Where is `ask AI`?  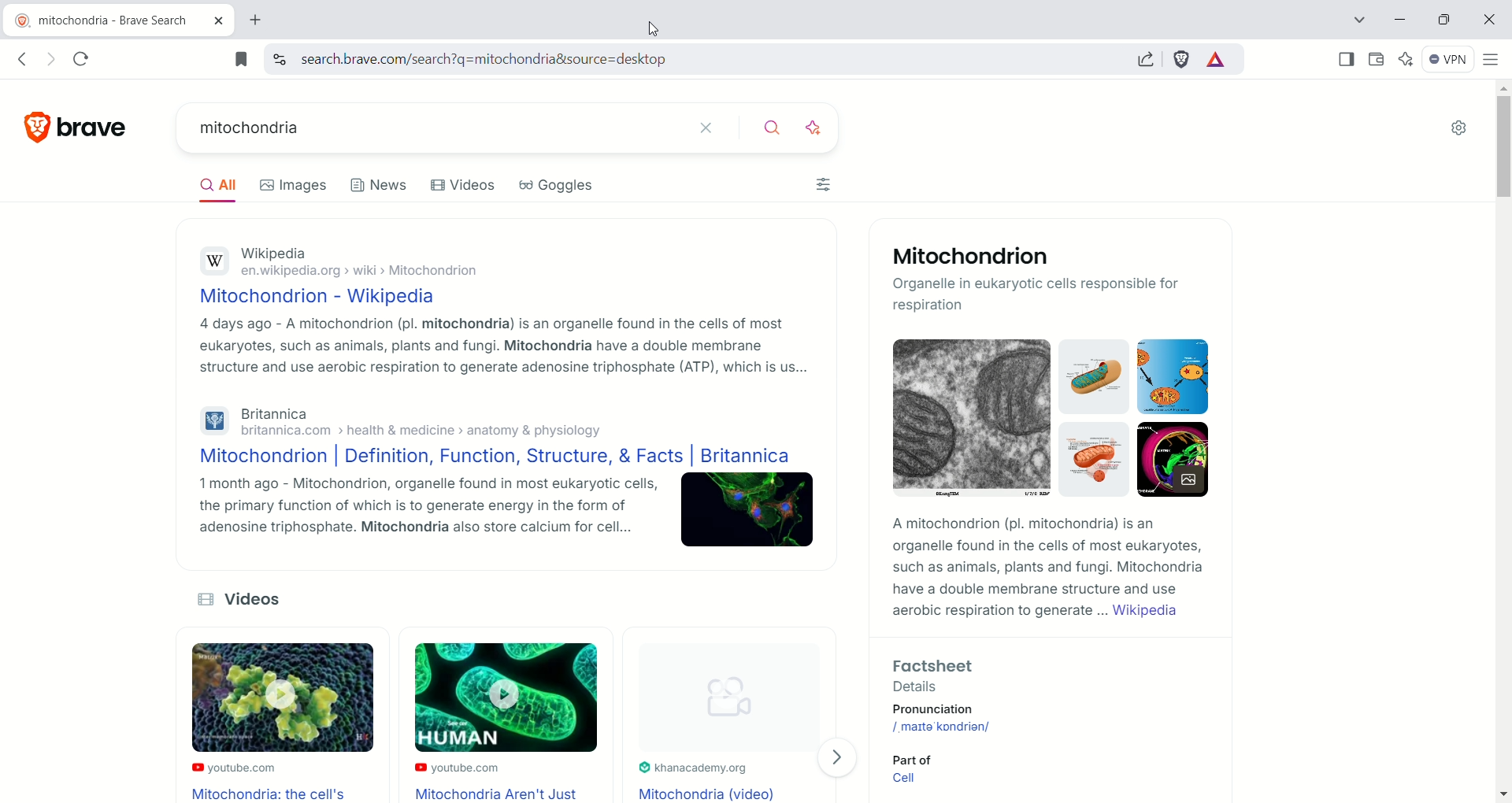 ask AI is located at coordinates (815, 126).